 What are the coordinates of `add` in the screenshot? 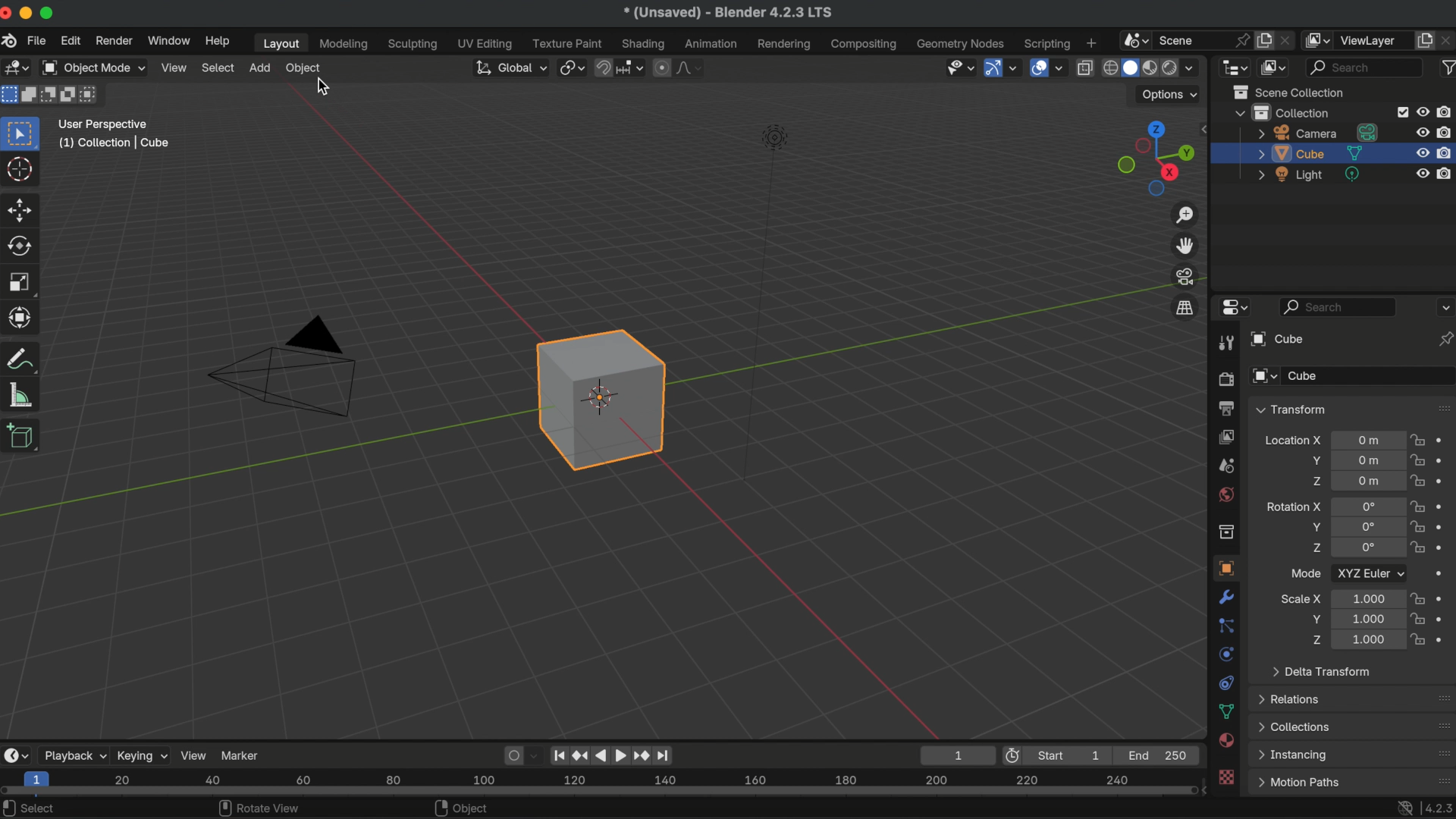 It's located at (259, 67).